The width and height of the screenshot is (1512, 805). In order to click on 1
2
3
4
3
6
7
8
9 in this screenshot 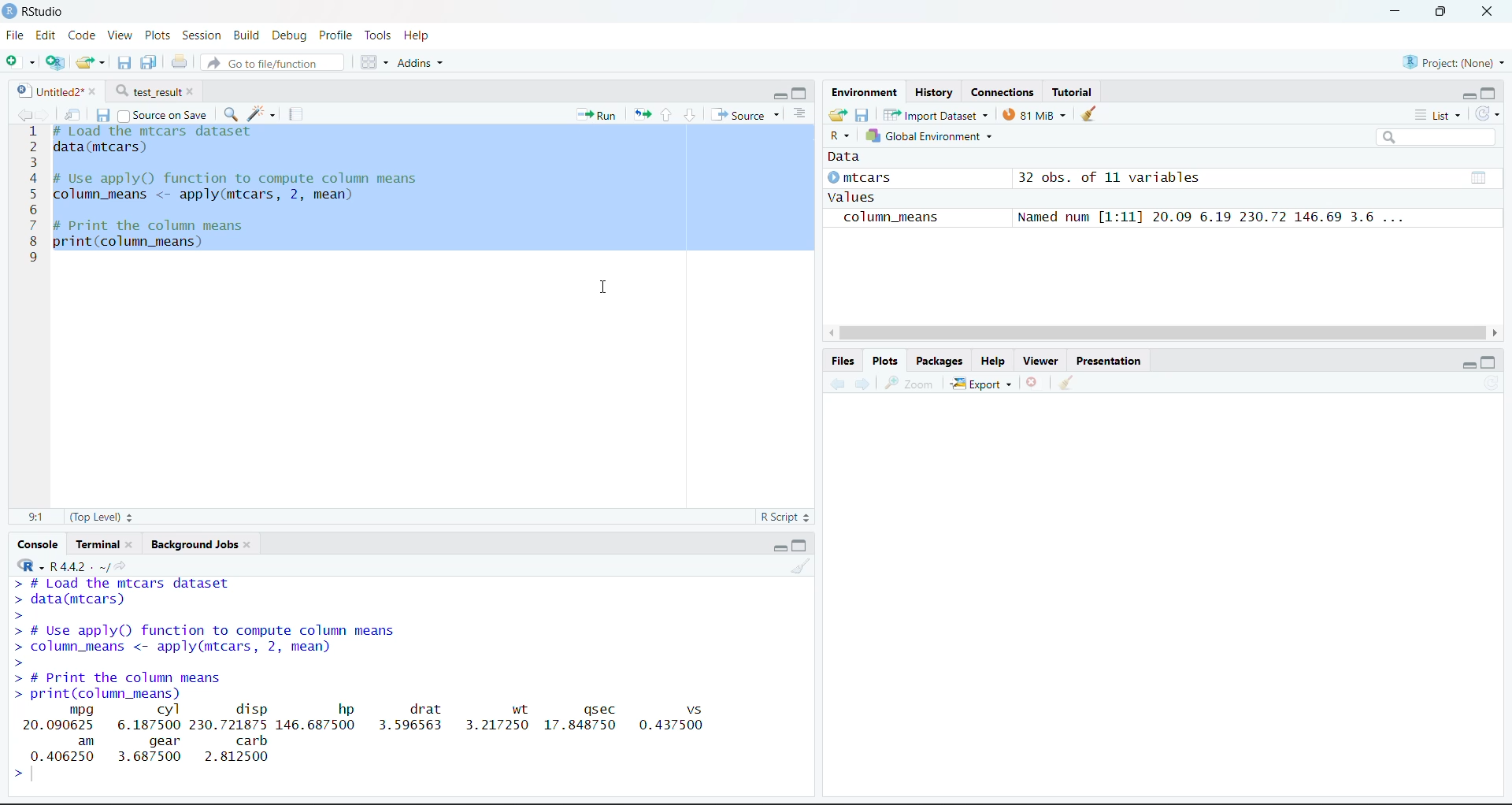, I will do `click(32, 202)`.